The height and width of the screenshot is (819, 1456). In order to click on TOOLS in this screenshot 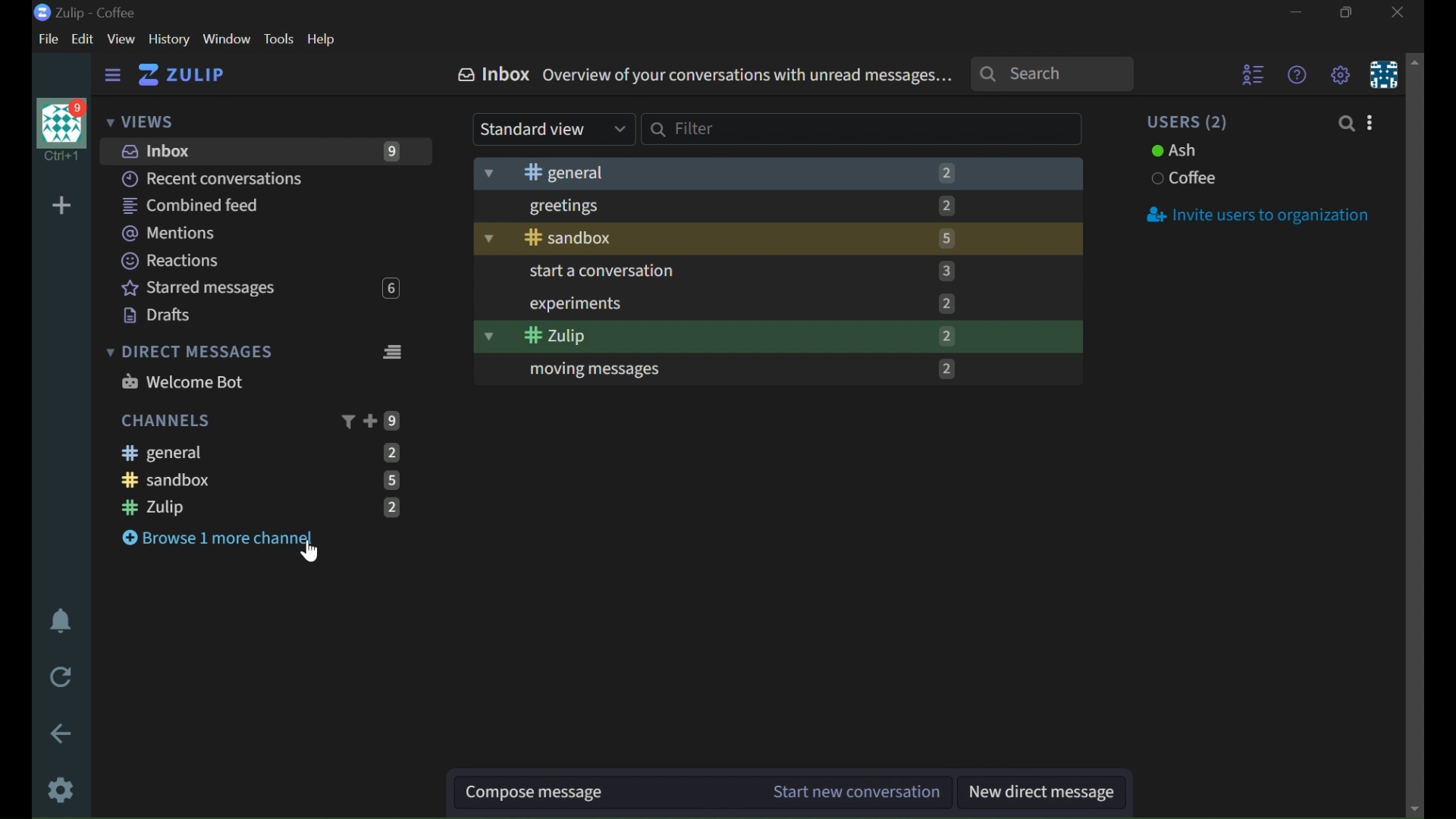, I will do `click(278, 39)`.